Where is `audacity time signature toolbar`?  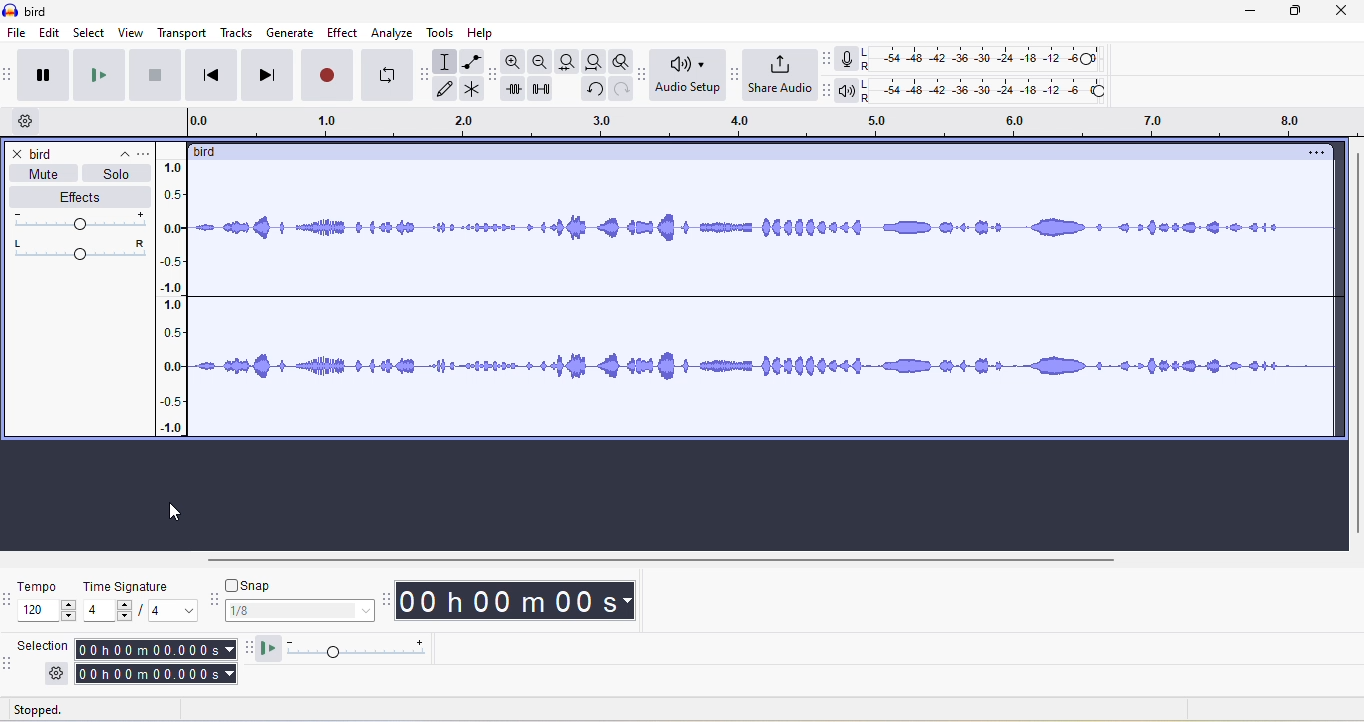 audacity time signature toolbar is located at coordinates (9, 600).